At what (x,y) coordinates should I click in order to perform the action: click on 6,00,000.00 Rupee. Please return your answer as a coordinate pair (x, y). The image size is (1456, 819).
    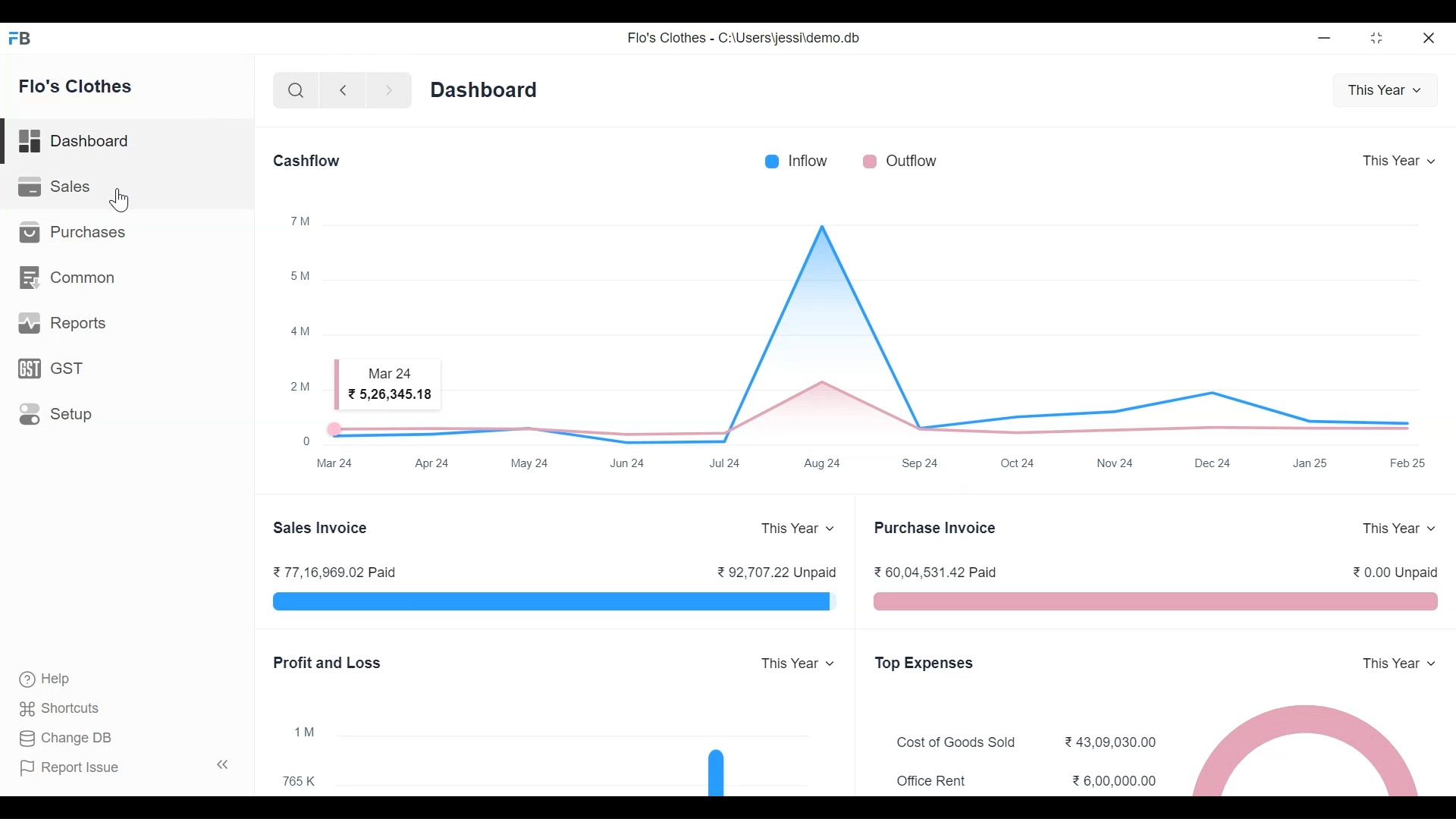
    Looking at the image, I should click on (1118, 781).